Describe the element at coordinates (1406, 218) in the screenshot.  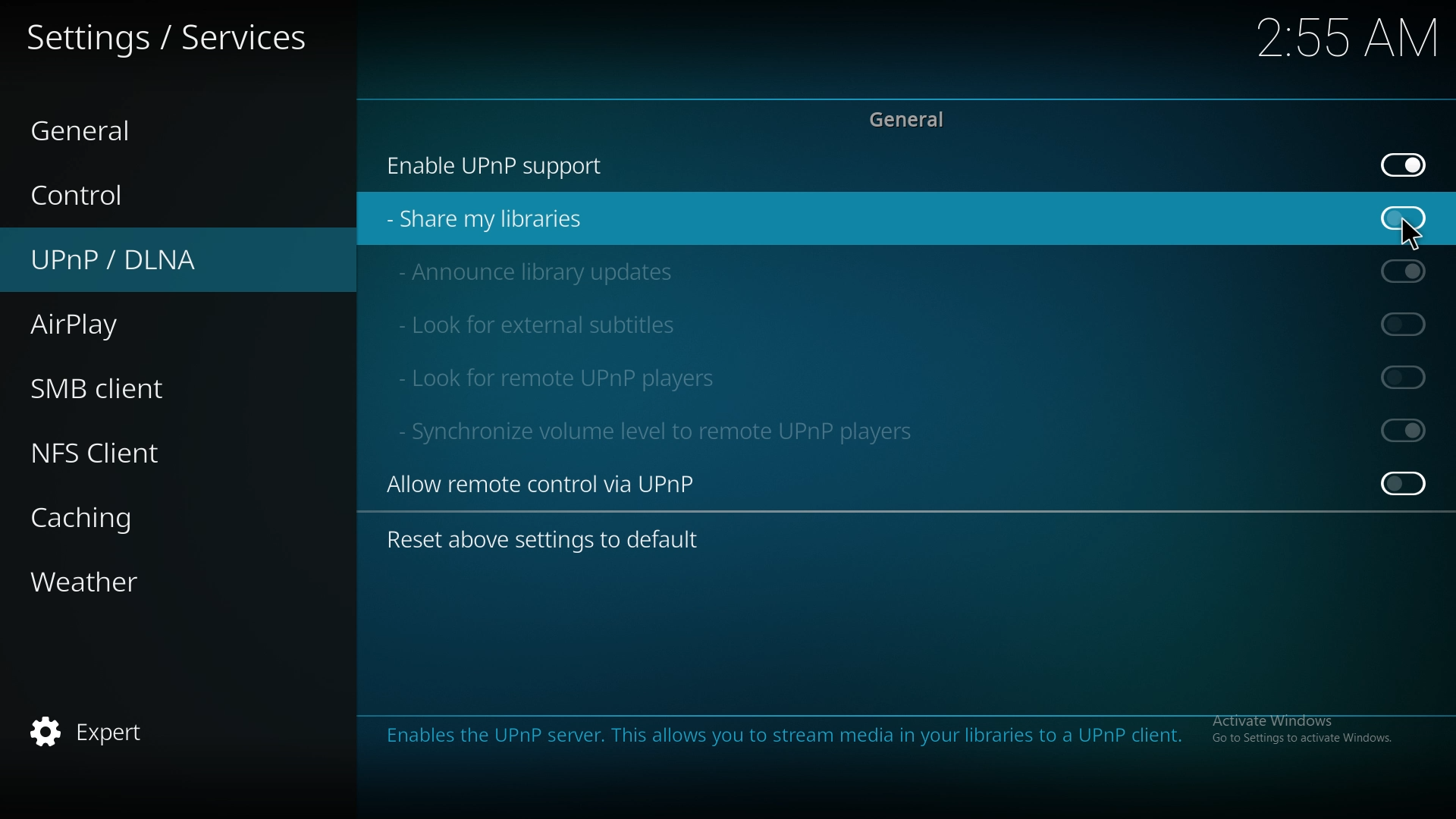
I see `on` at that location.